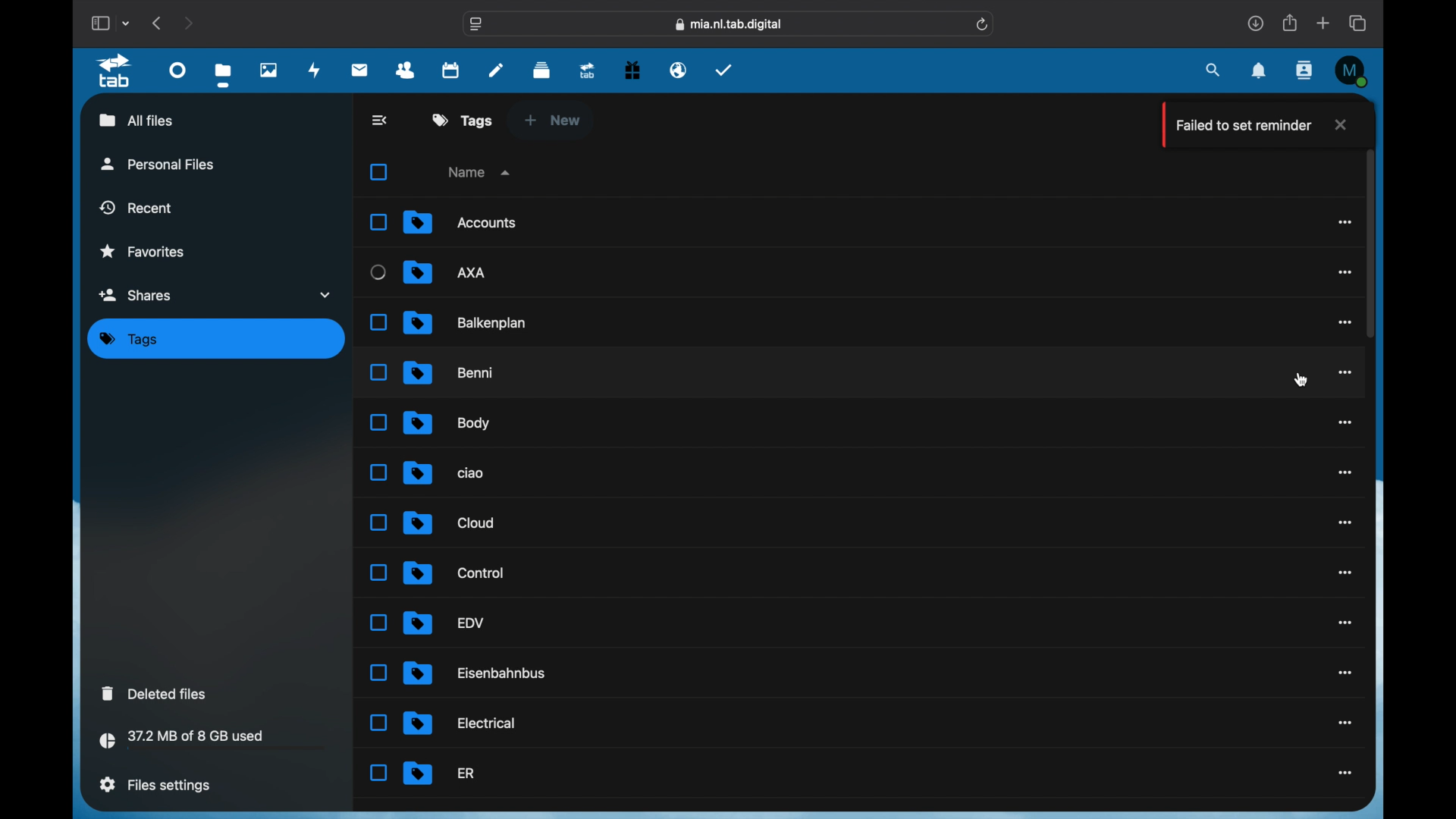 The image size is (1456, 819). What do you see at coordinates (378, 723) in the screenshot?
I see `Unselected Checkbox` at bounding box center [378, 723].